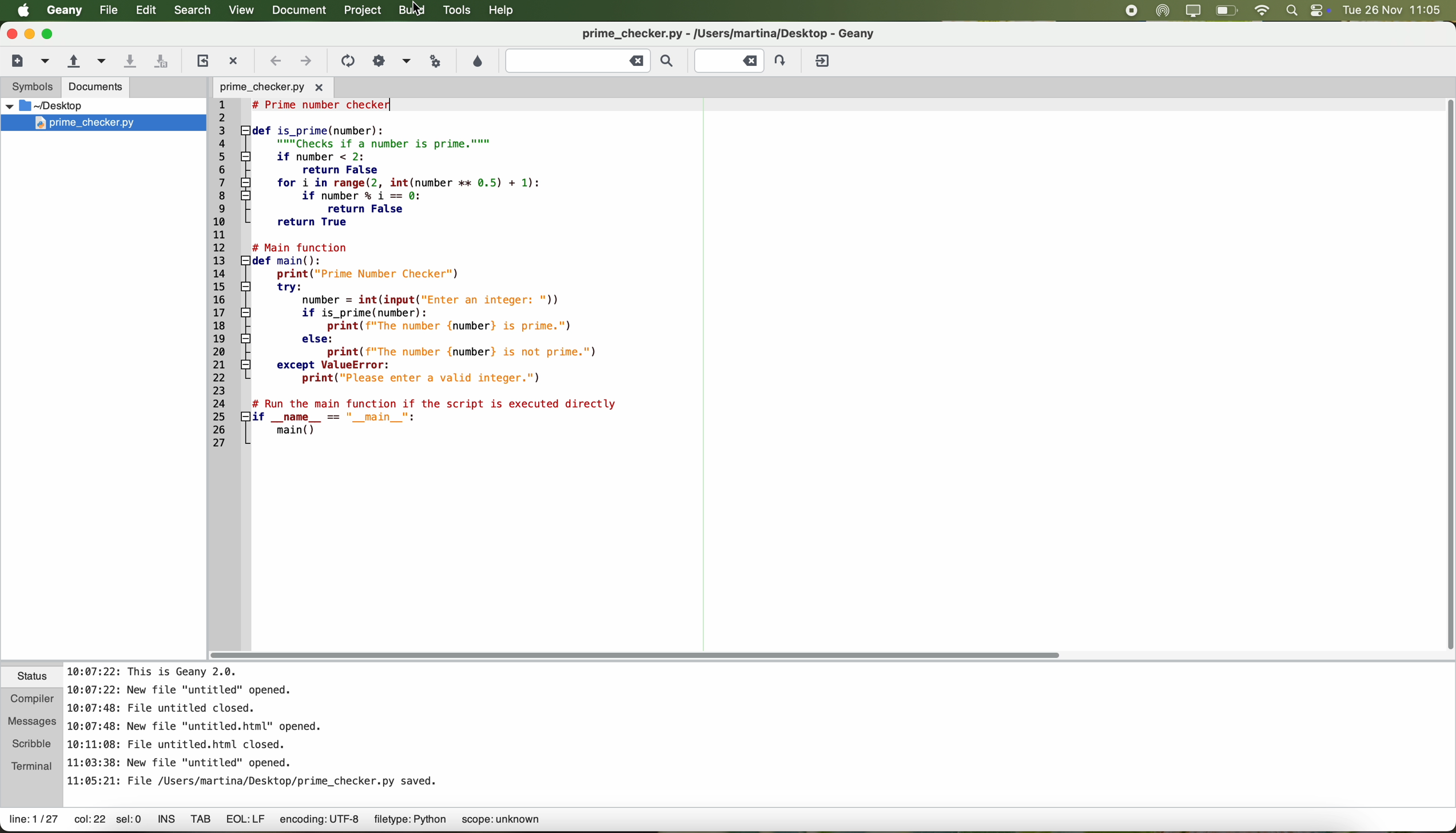 Image resolution: width=1456 pixels, height=833 pixels. Describe the element at coordinates (303, 11) in the screenshot. I see `document` at that location.